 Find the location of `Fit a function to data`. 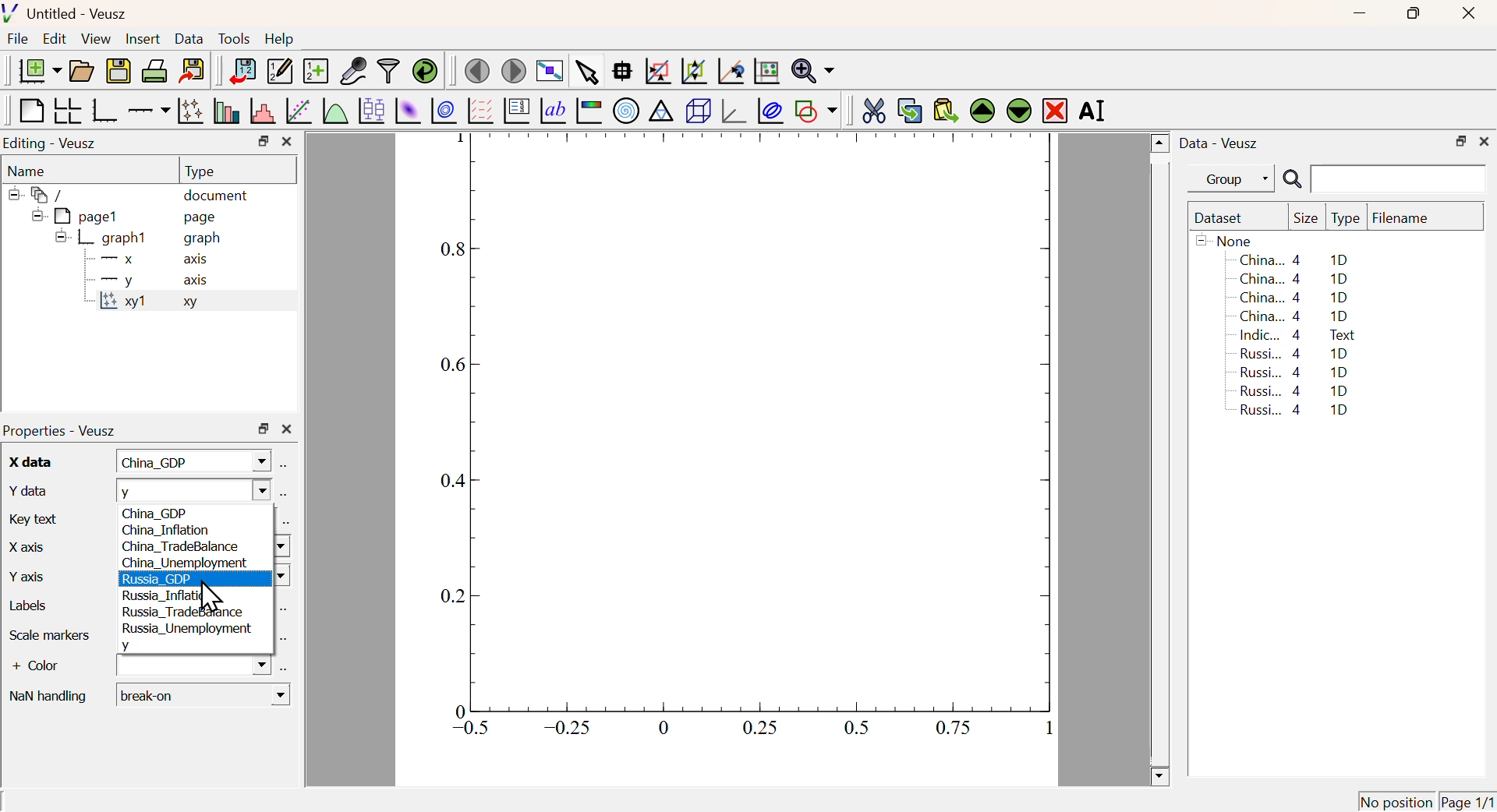

Fit a function to data is located at coordinates (299, 112).